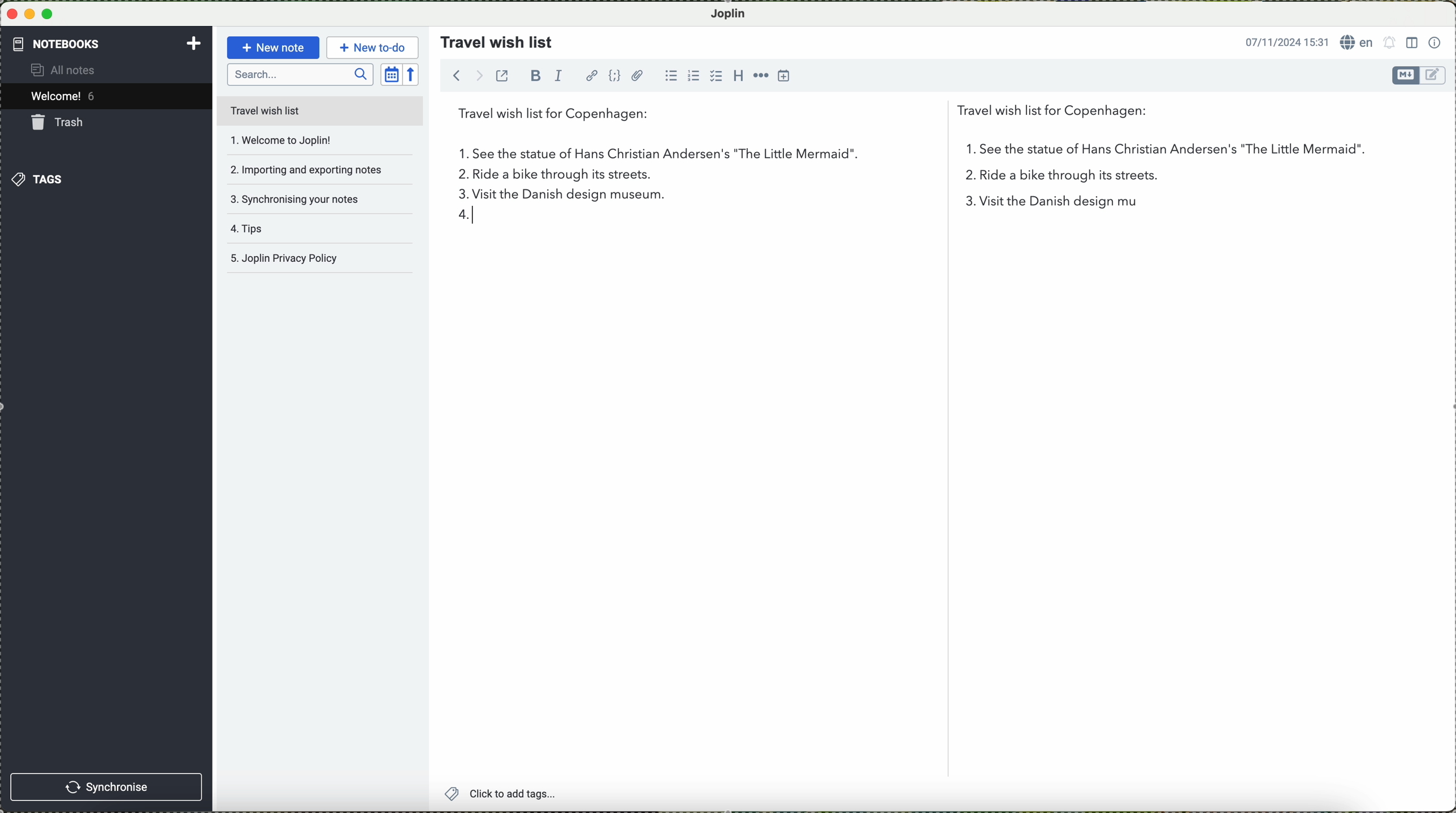  I want to click on reverse sort order, so click(414, 73).